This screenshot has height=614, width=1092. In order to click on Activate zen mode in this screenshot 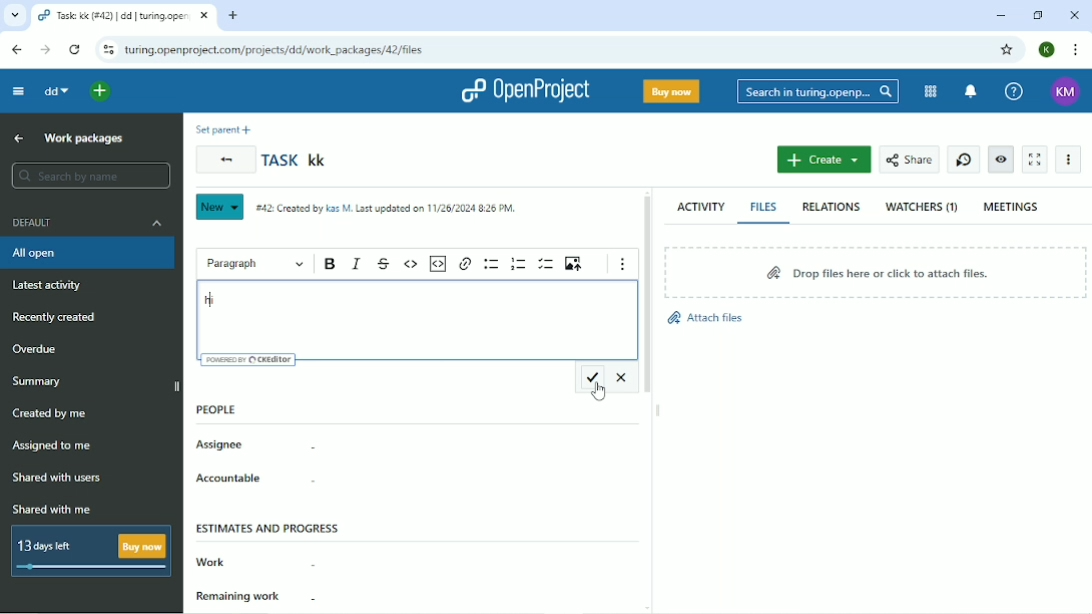, I will do `click(1036, 160)`.